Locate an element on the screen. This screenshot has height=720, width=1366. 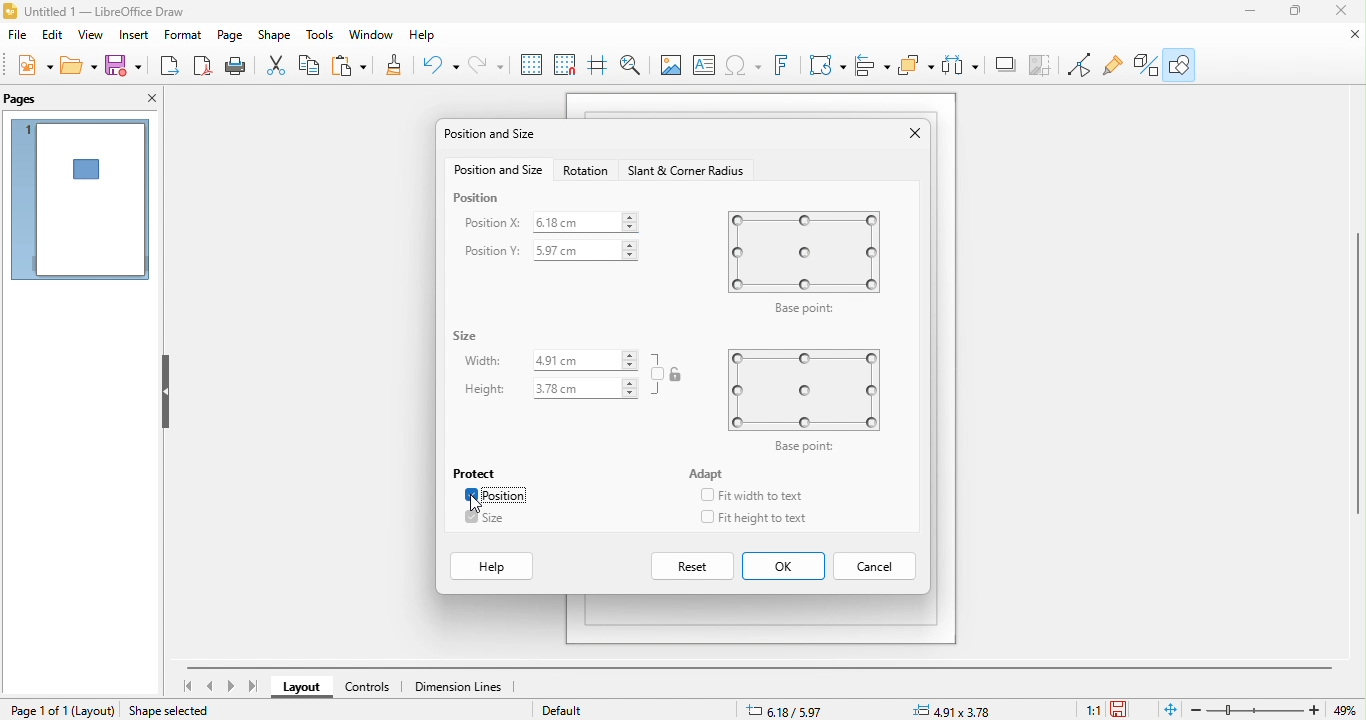
previous page is located at coordinates (212, 686).